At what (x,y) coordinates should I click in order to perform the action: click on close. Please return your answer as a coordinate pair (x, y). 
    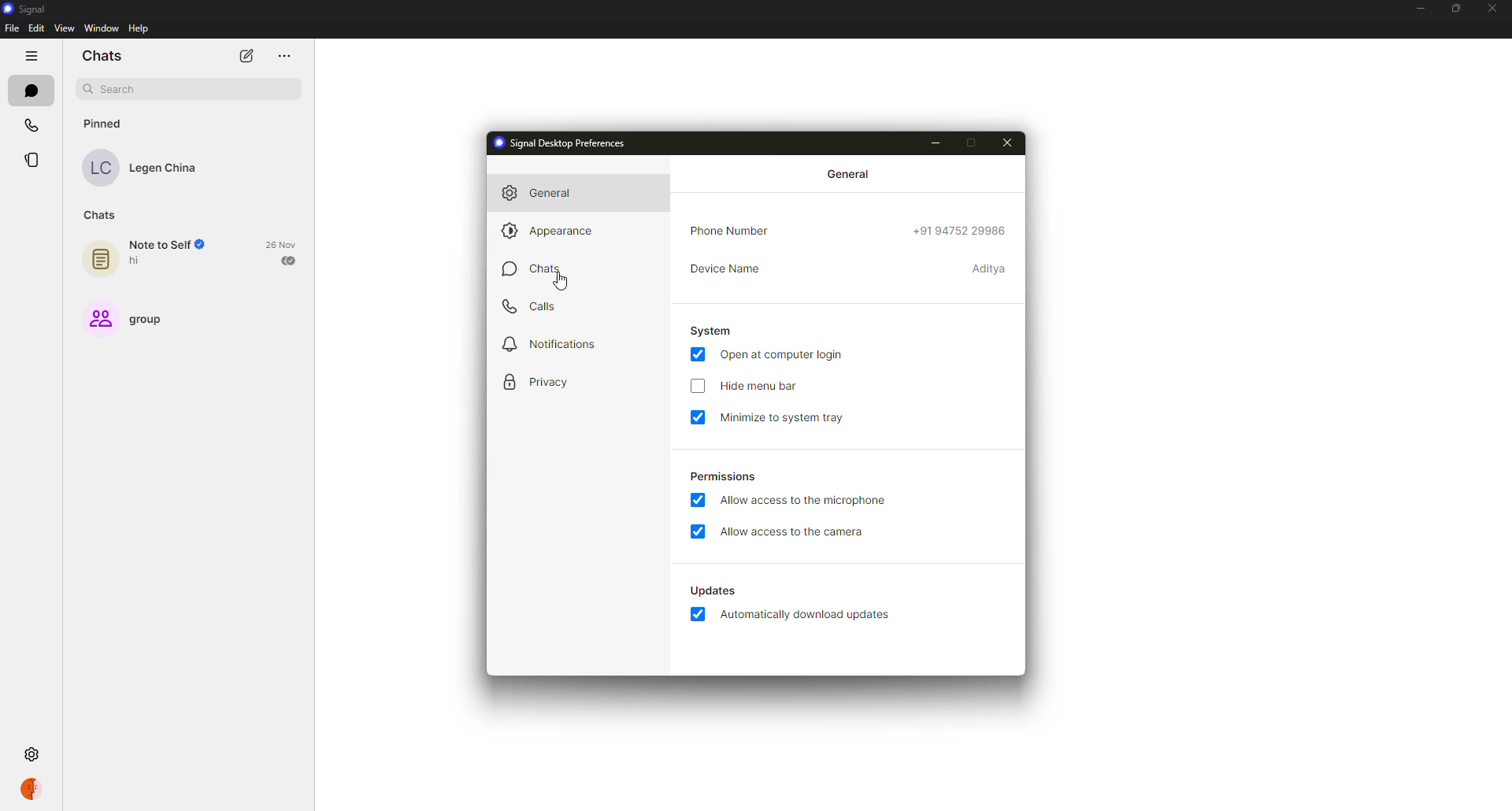
    Looking at the image, I should click on (1009, 143).